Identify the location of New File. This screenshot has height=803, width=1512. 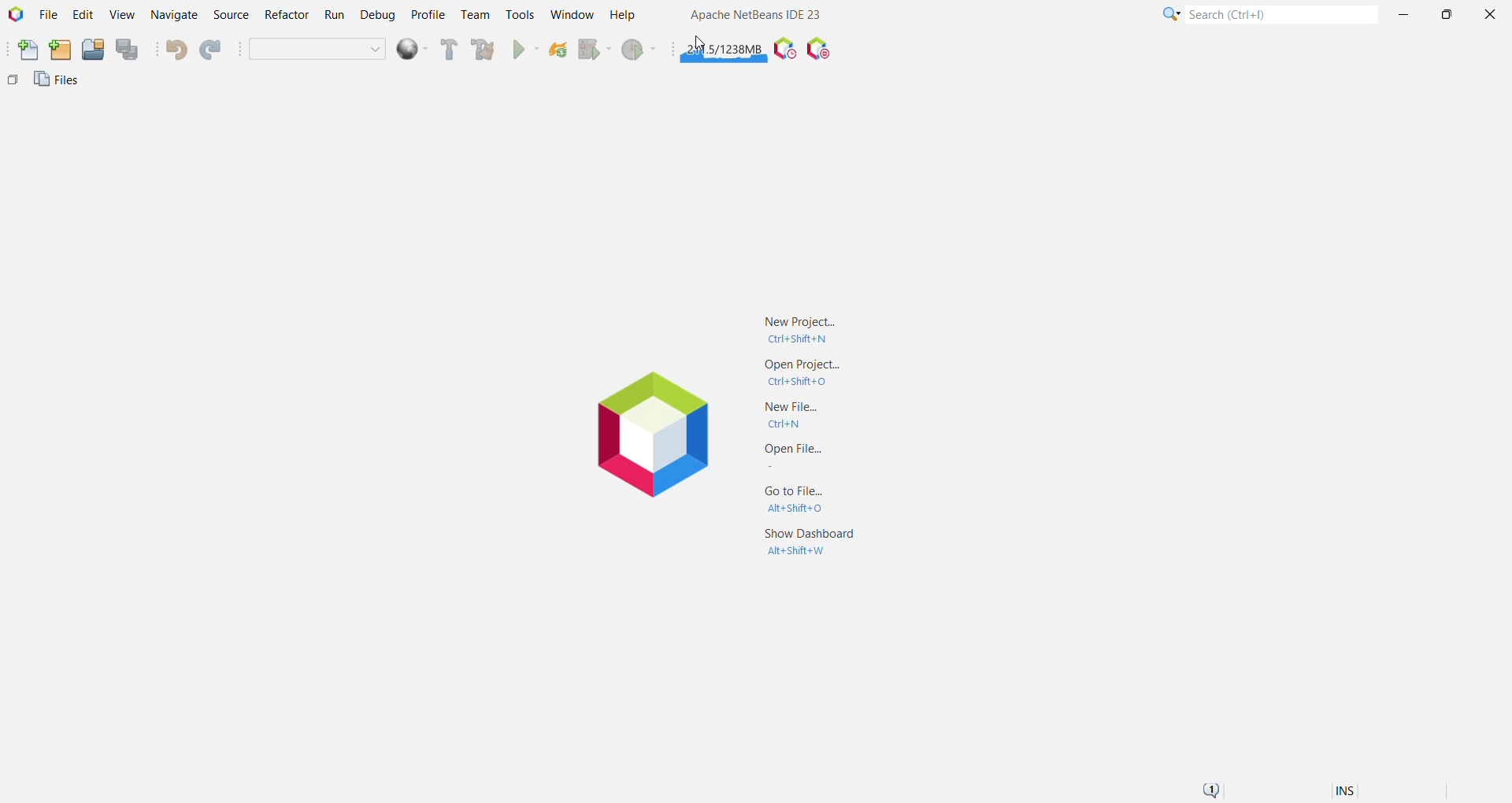
(794, 414).